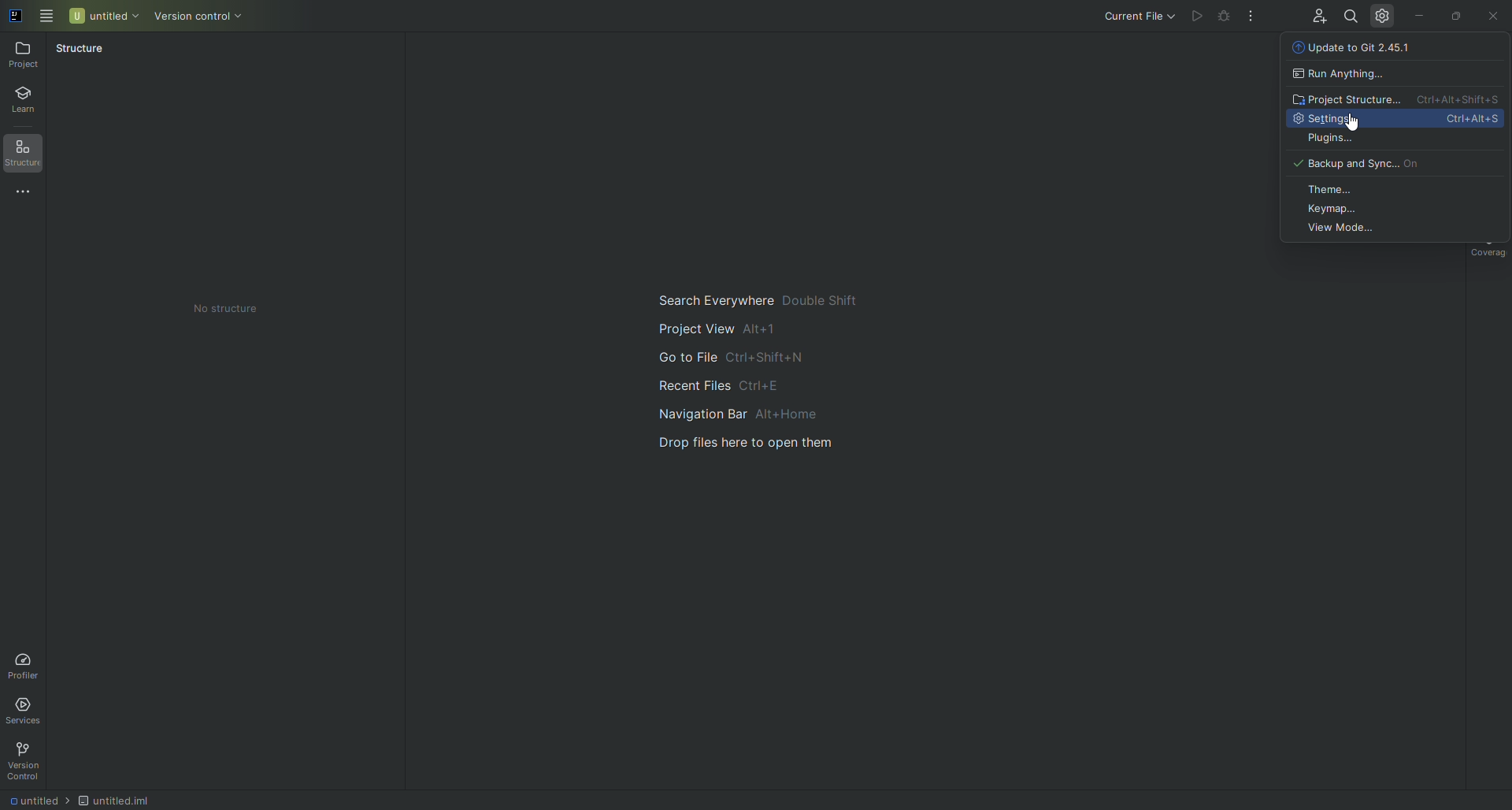  What do you see at coordinates (16, 17) in the screenshot?
I see `logo` at bounding box center [16, 17].